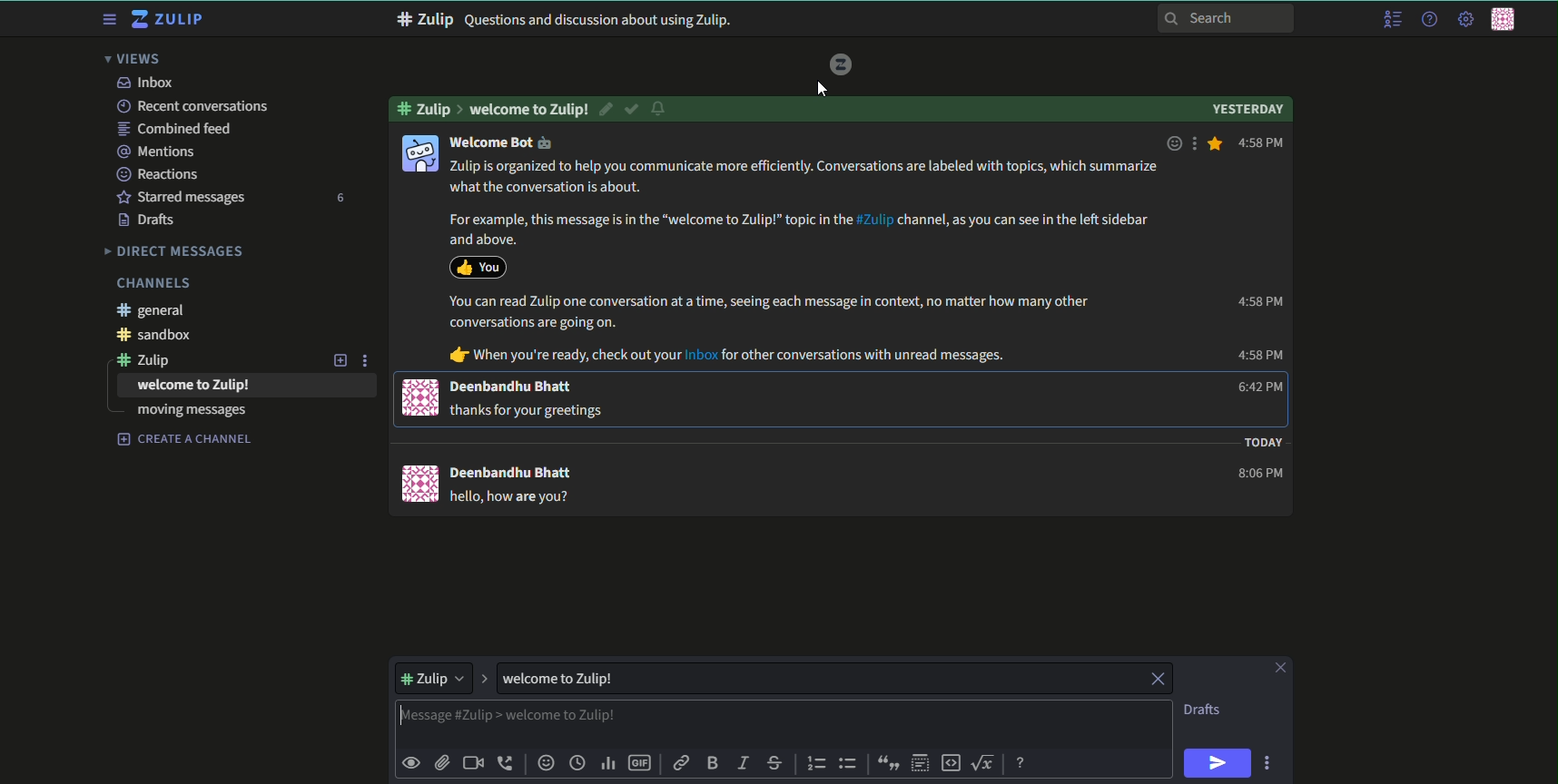 This screenshot has height=784, width=1558. Describe the element at coordinates (1217, 762) in the screenshot. I see `send` at that location.